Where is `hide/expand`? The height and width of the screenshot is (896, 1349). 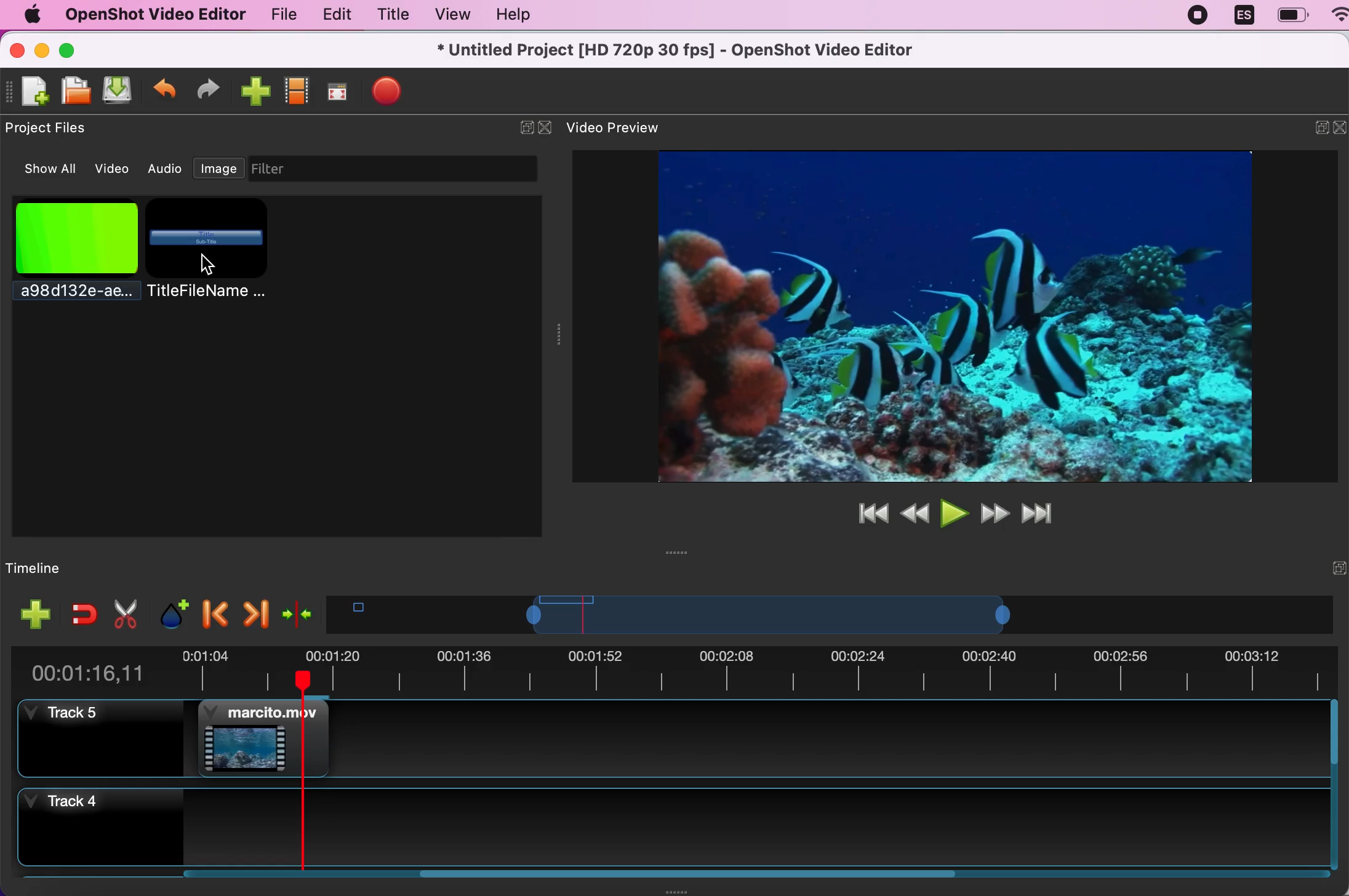
hide/expand is located at coordinates (526, 128).